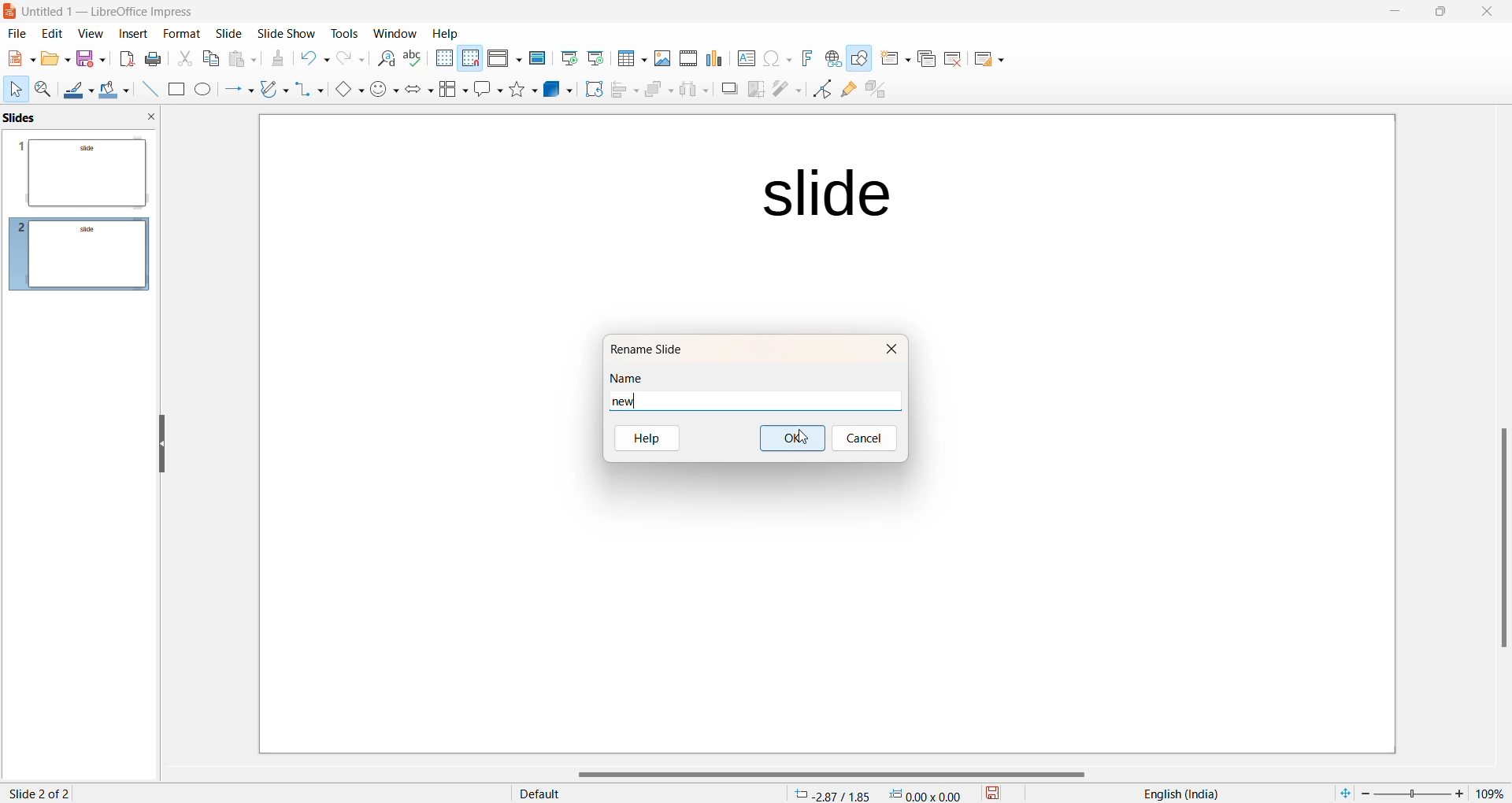  Describe the element at coordinates (956, 58) in the screenshot. I see `Delete slide` at that location.